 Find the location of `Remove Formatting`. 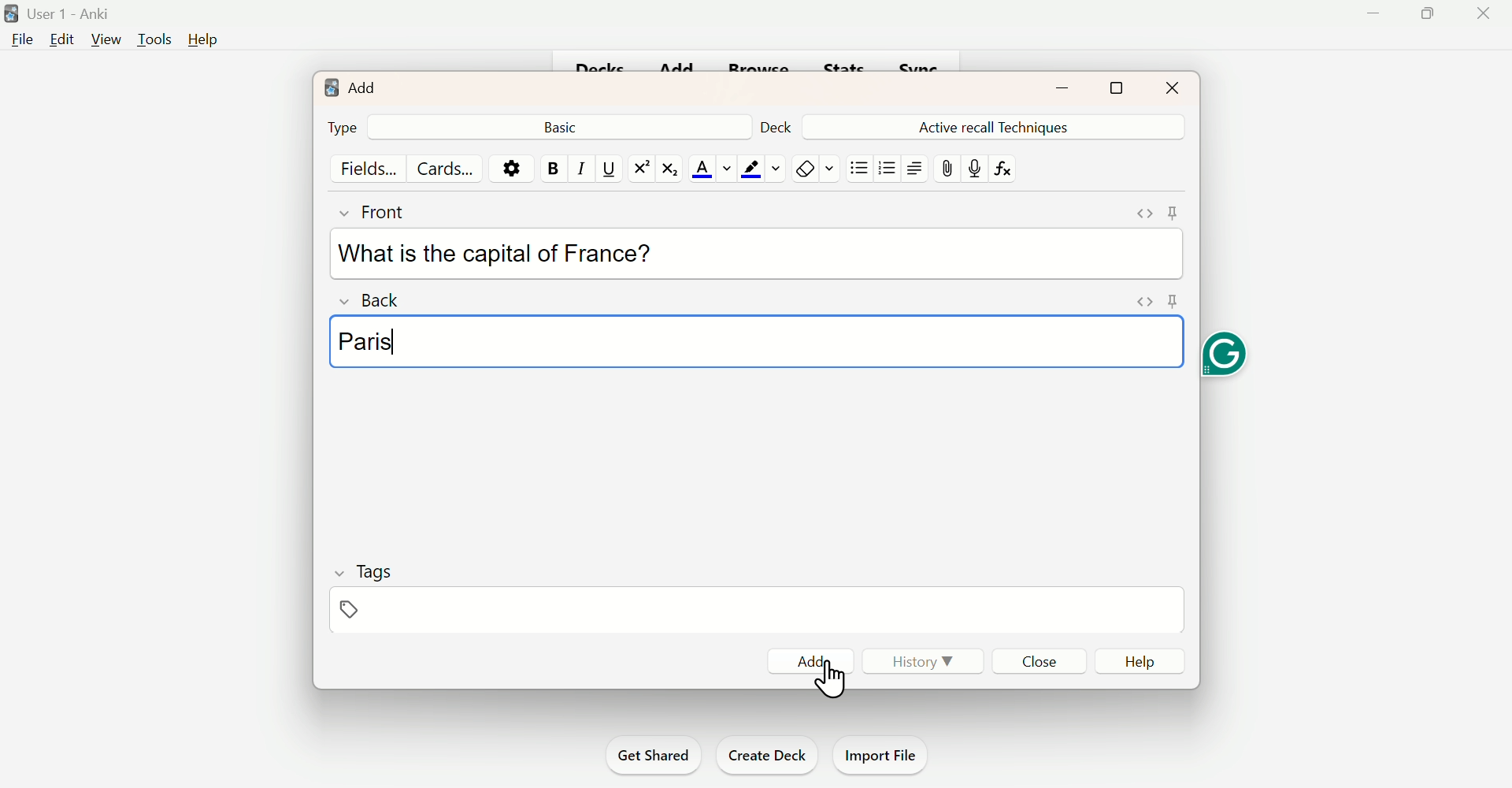

Remove Formatting is located at coordinates (812, 167).